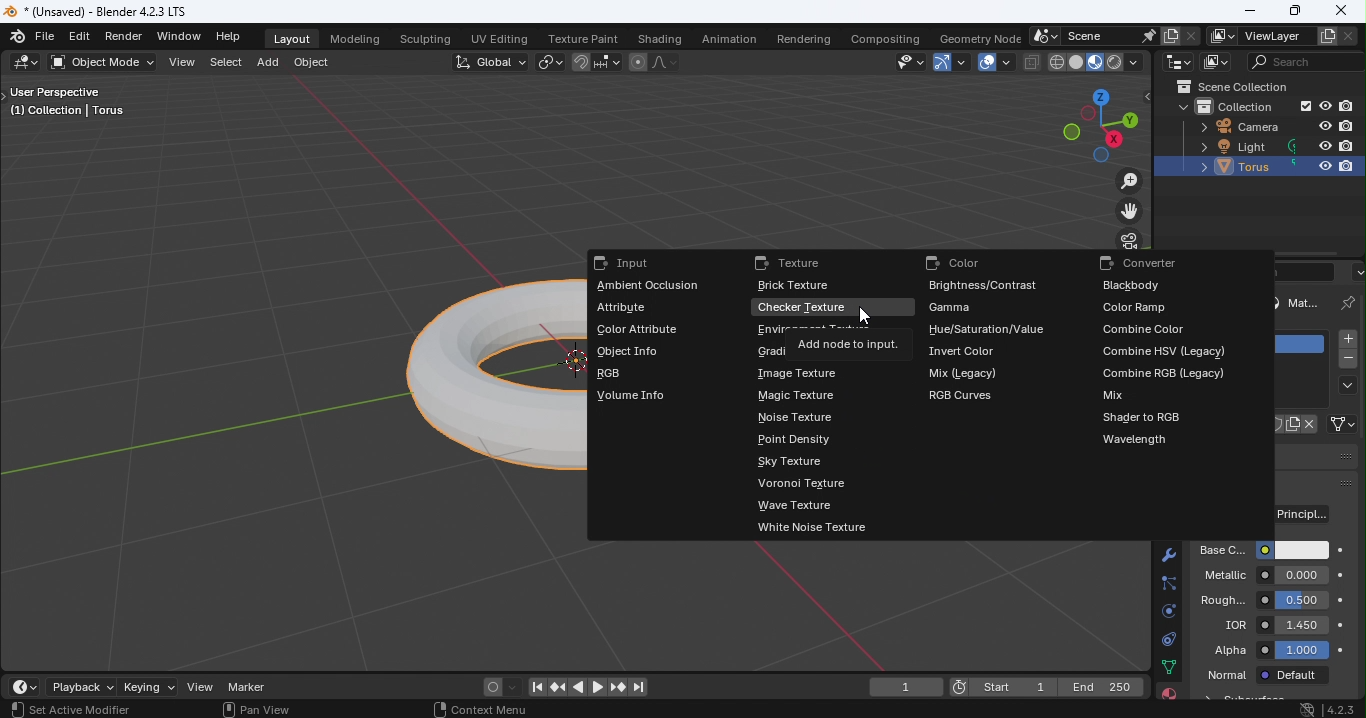 The height and width of the screenshot is (718, 1366). Describe the element at coordinates (1321, 166) in the screenshot. I see `Hide in viewpoint` at that location.